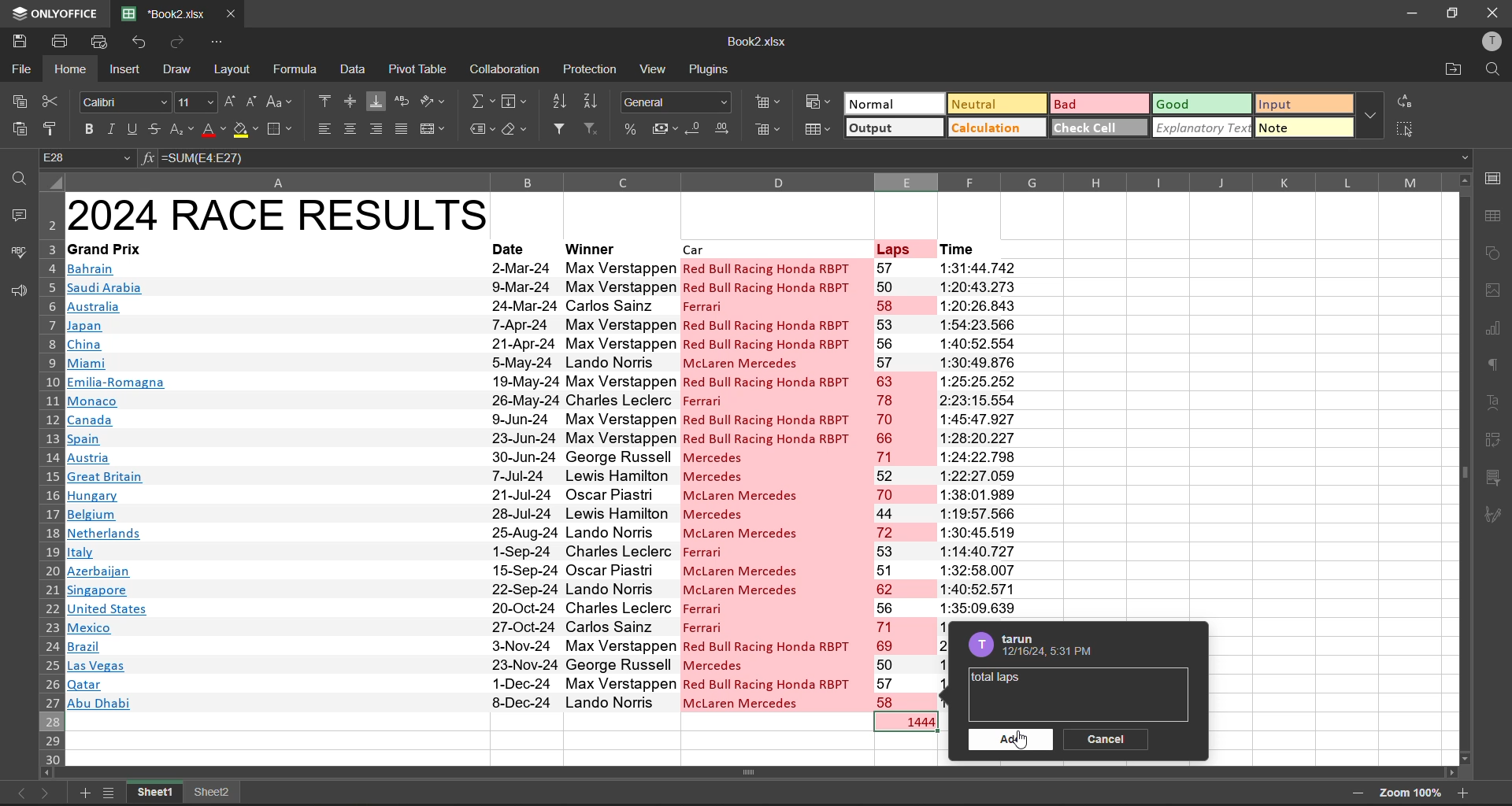  Describe the element at coordinates (1492, 179) in the screenshot. I see `call settings` at that location.